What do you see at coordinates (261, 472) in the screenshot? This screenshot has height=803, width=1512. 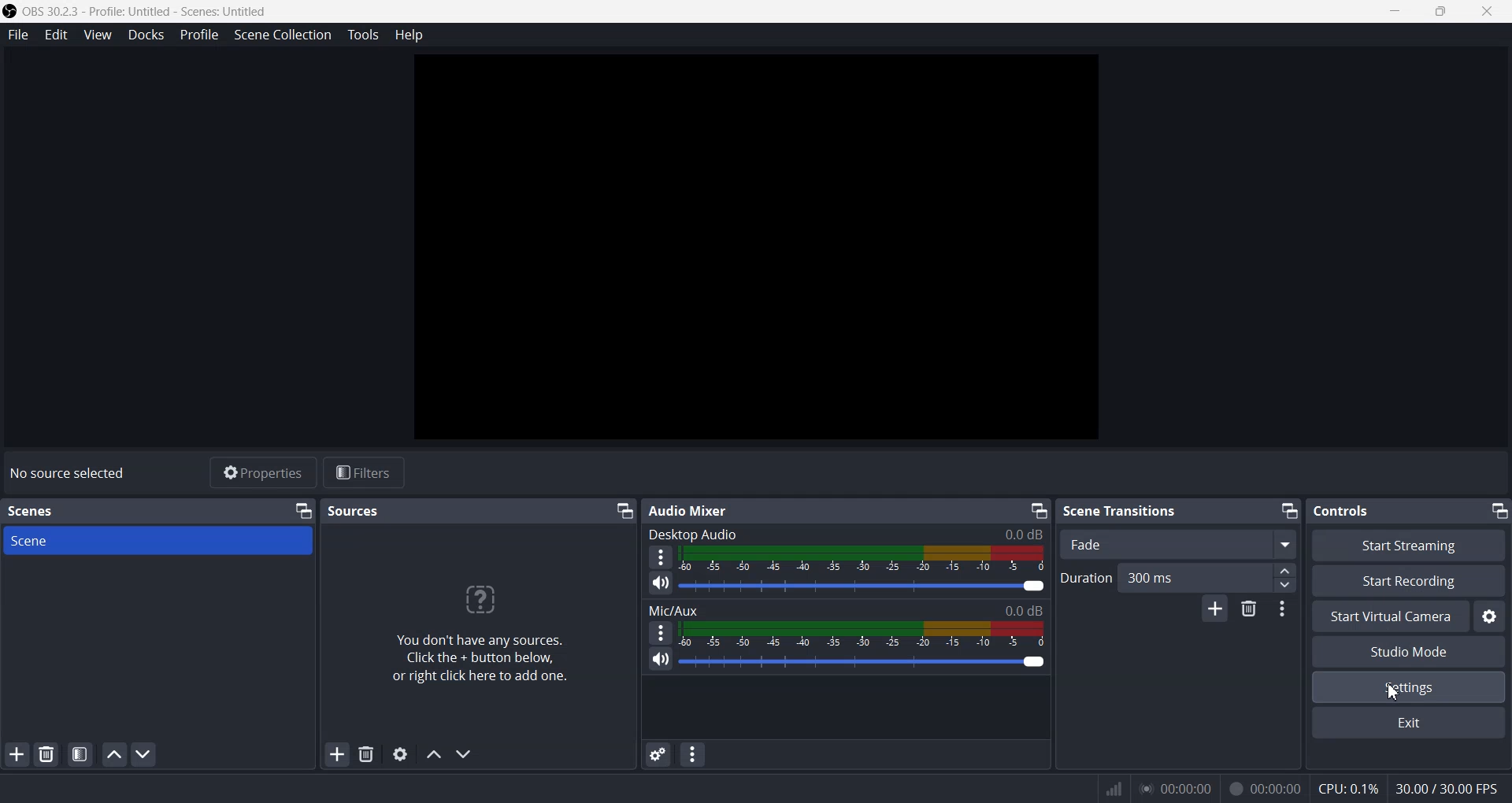 I see `Properties` at bounding box center [261, 472].